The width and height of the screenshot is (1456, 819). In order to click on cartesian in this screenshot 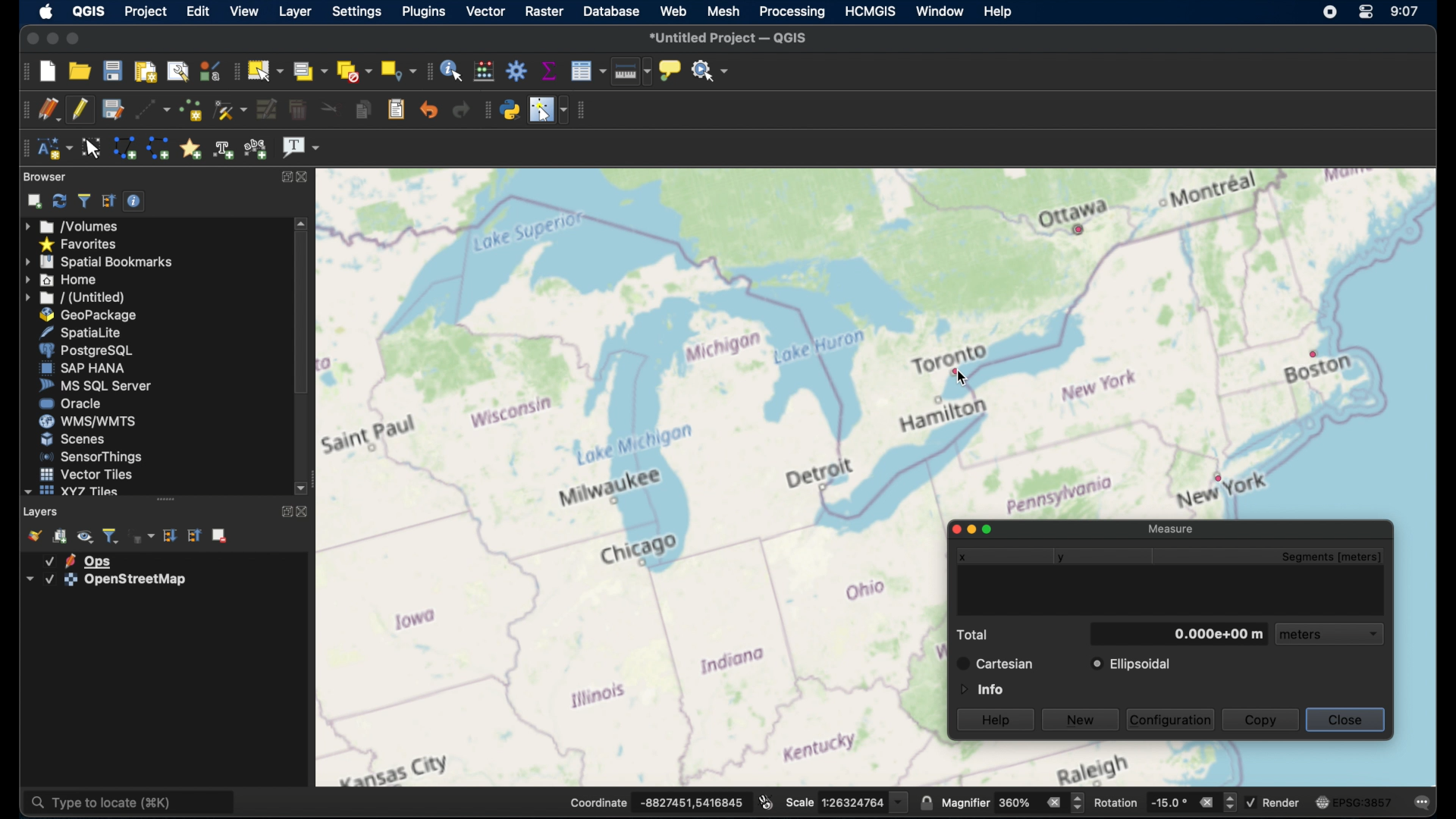, I will do `click(995, 663)`.